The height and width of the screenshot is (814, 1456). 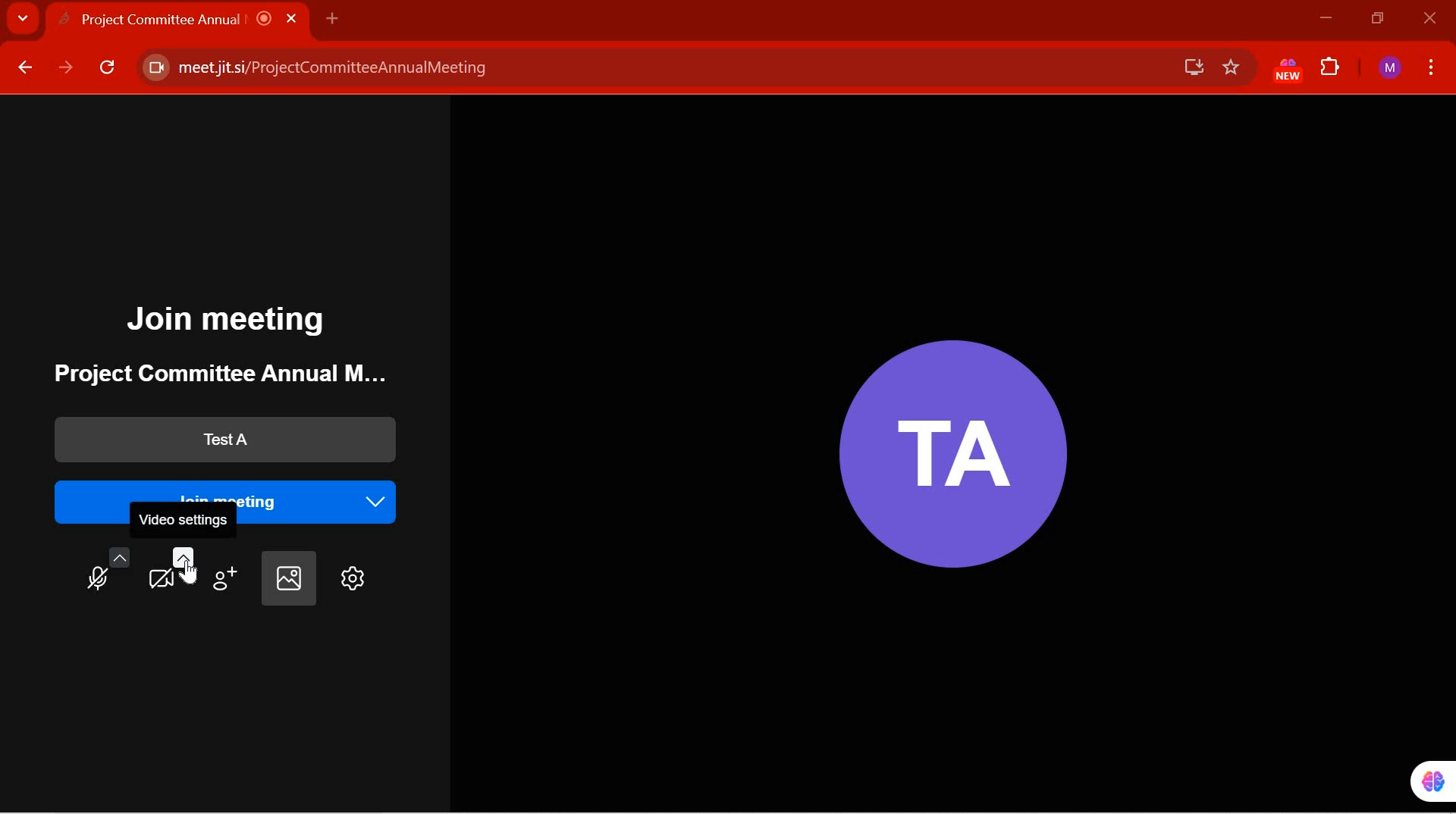 What do you see at coordinates (209, 374) in the screenshot?
I see `Project Committee Annual M...` at bounding box center [209, 374].